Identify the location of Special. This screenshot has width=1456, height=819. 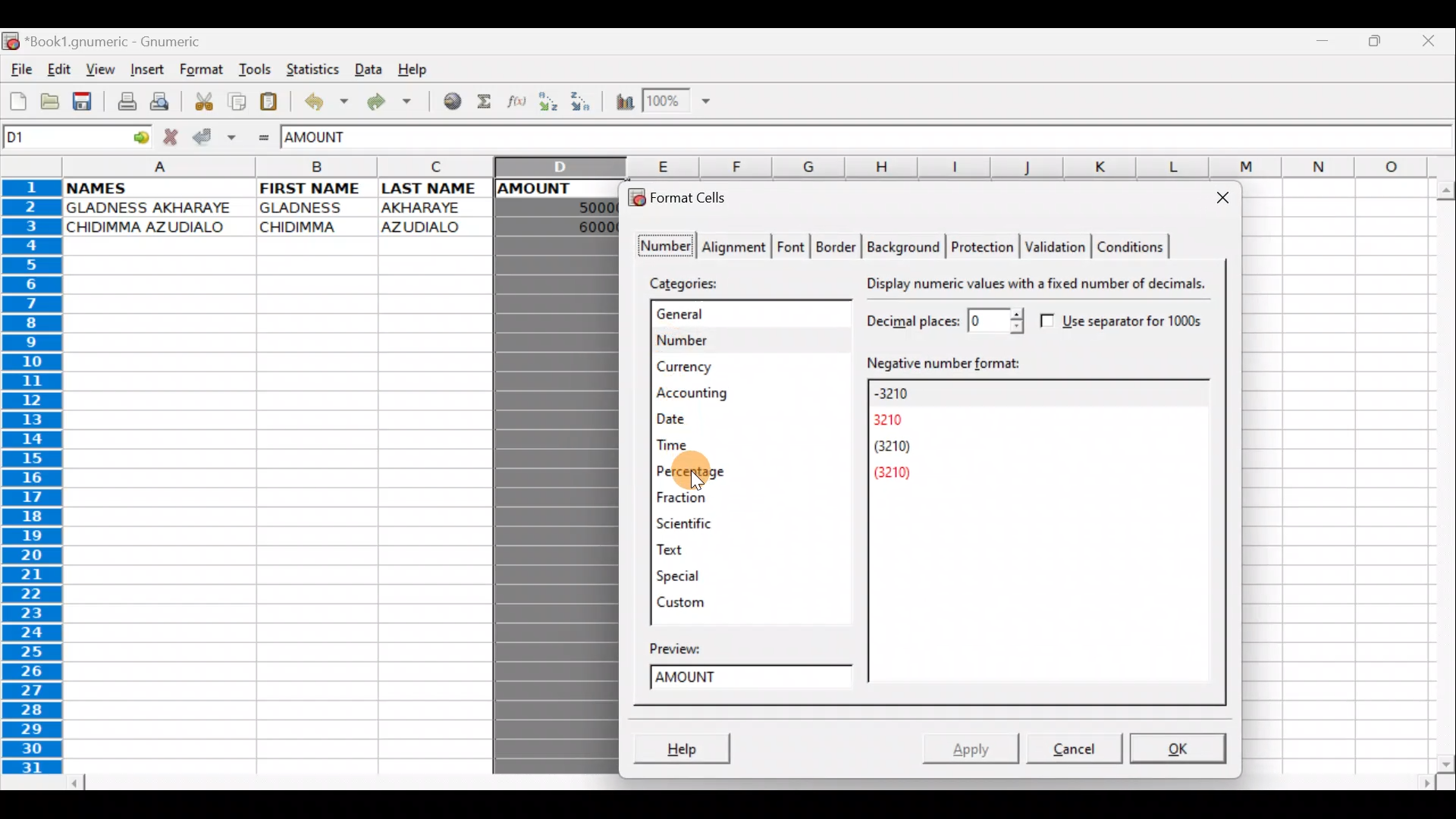
(686, 576).